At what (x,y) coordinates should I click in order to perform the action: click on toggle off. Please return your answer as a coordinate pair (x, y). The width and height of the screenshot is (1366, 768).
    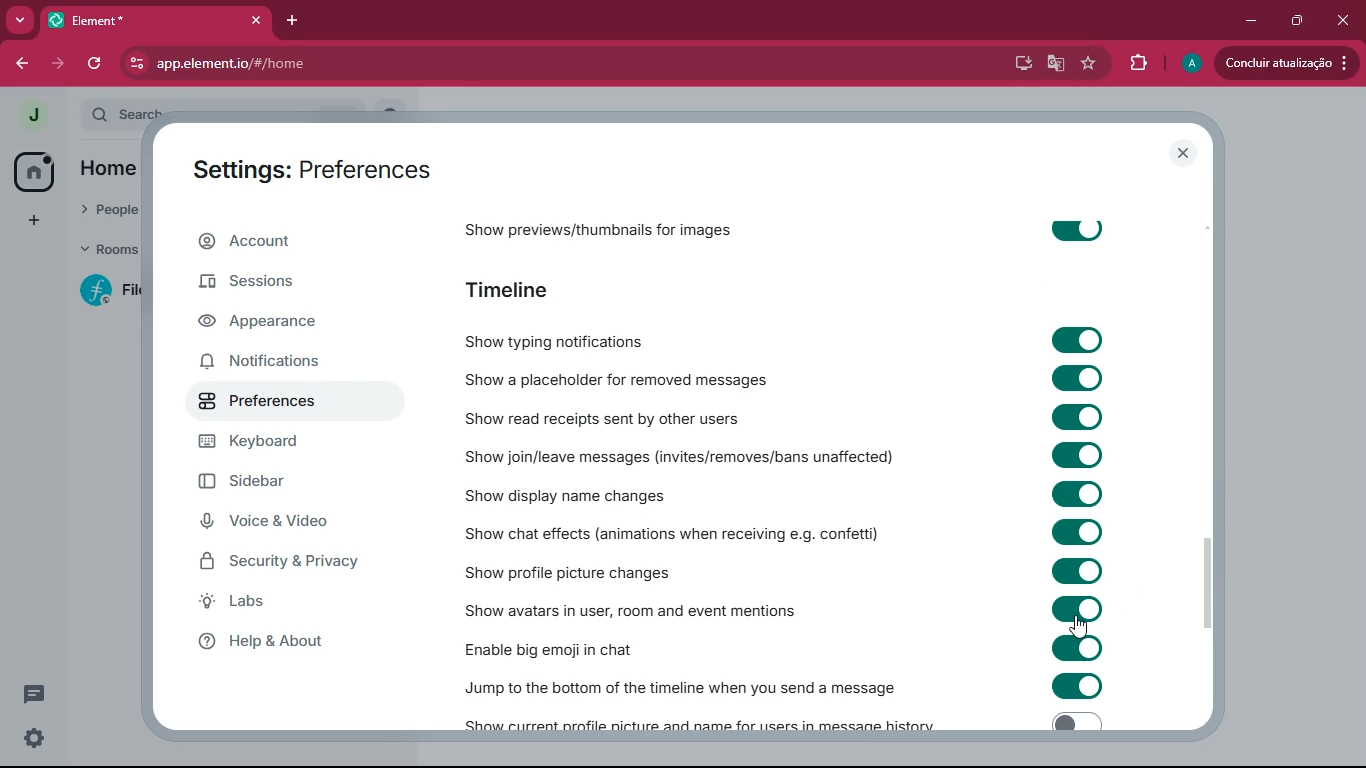
    Looking at the image, I should click on (1072, 722).